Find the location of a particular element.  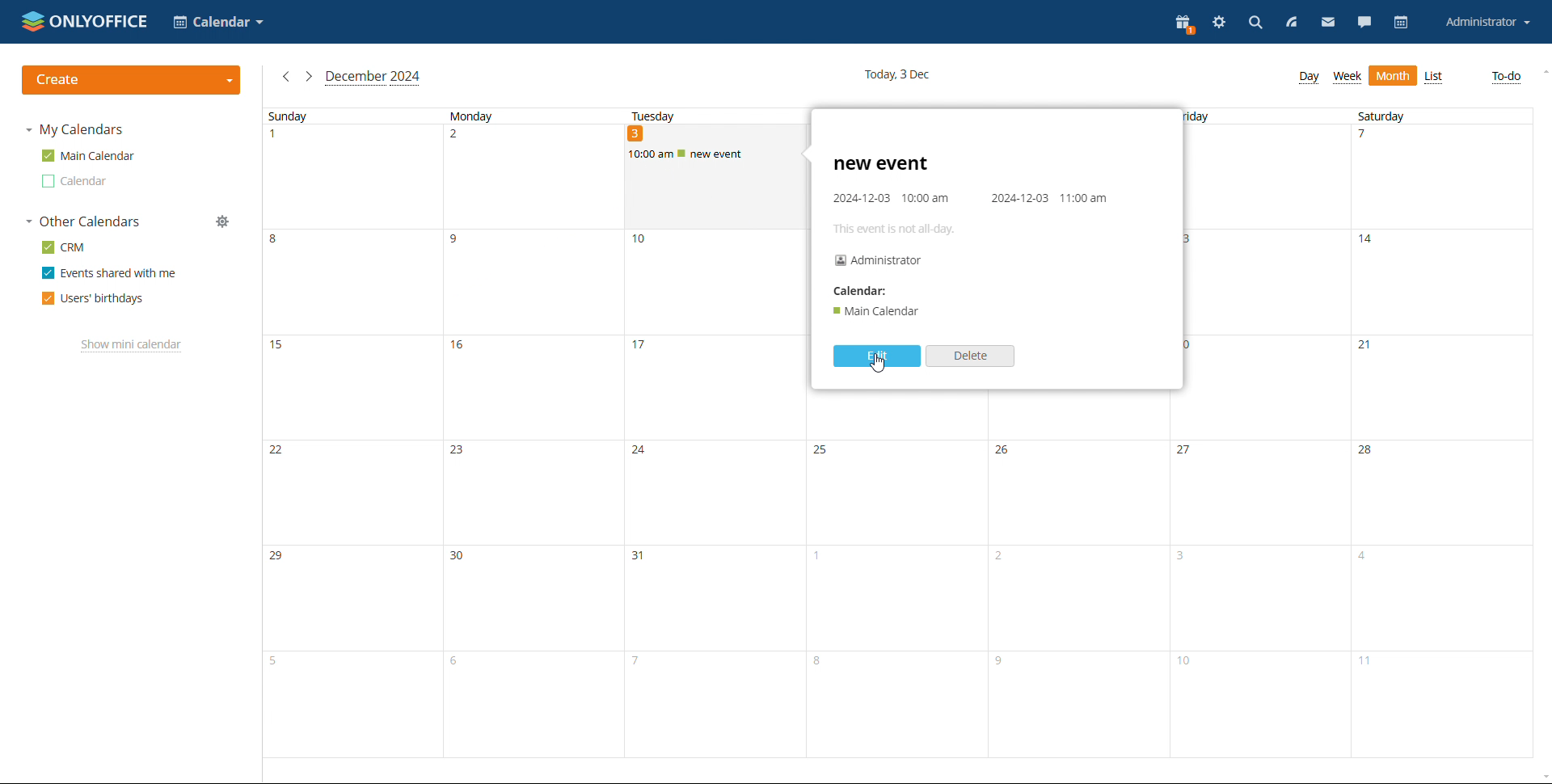

select application is located at coordinates (217, 22).